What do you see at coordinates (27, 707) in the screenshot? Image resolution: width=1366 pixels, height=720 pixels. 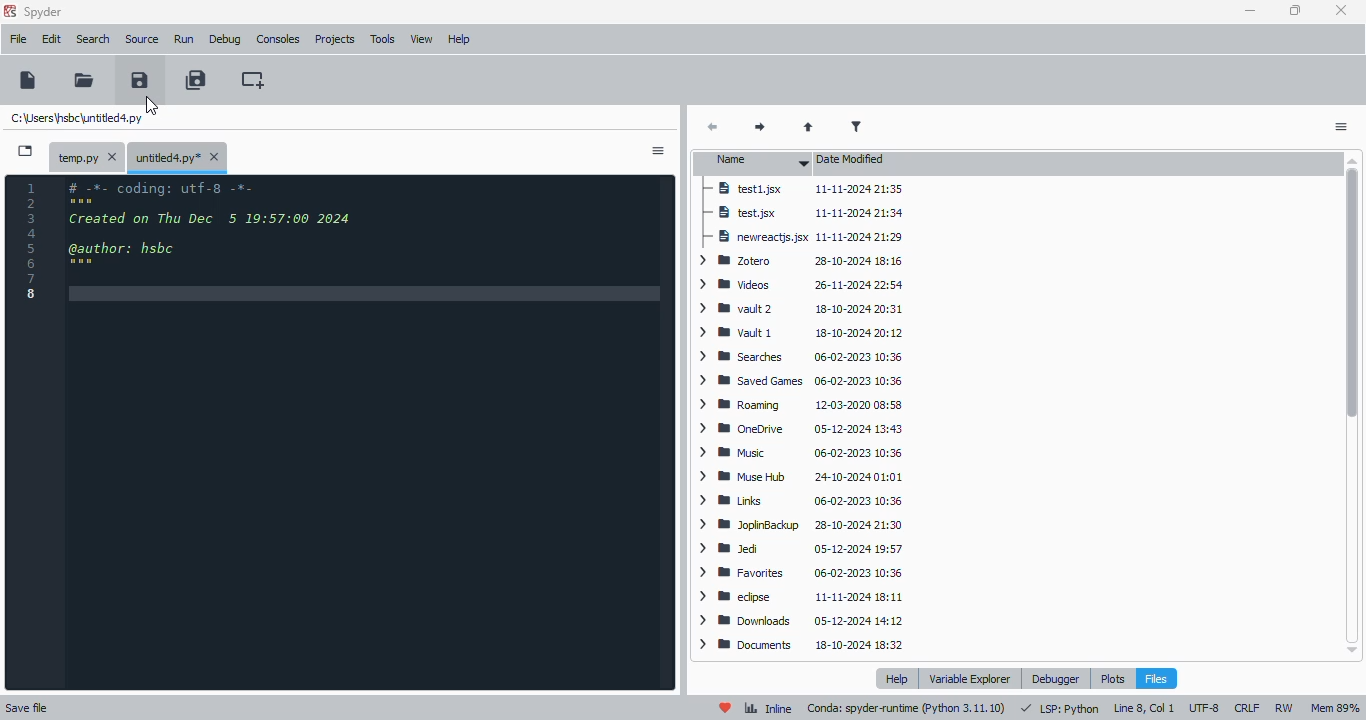 I see `save file` at bounding box center [27, 707].